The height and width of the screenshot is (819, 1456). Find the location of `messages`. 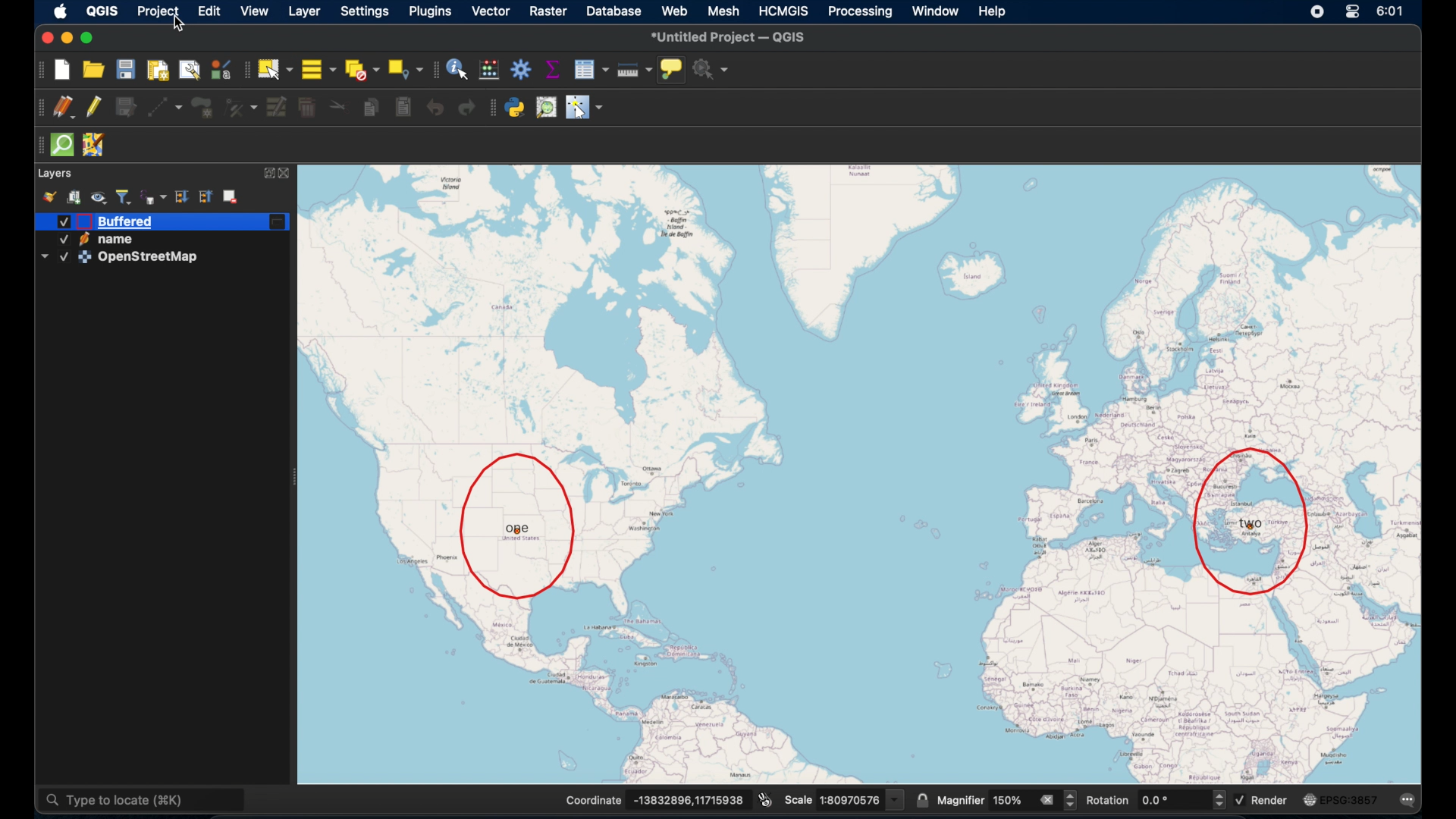

messages is located at coordinates (1405, 799).